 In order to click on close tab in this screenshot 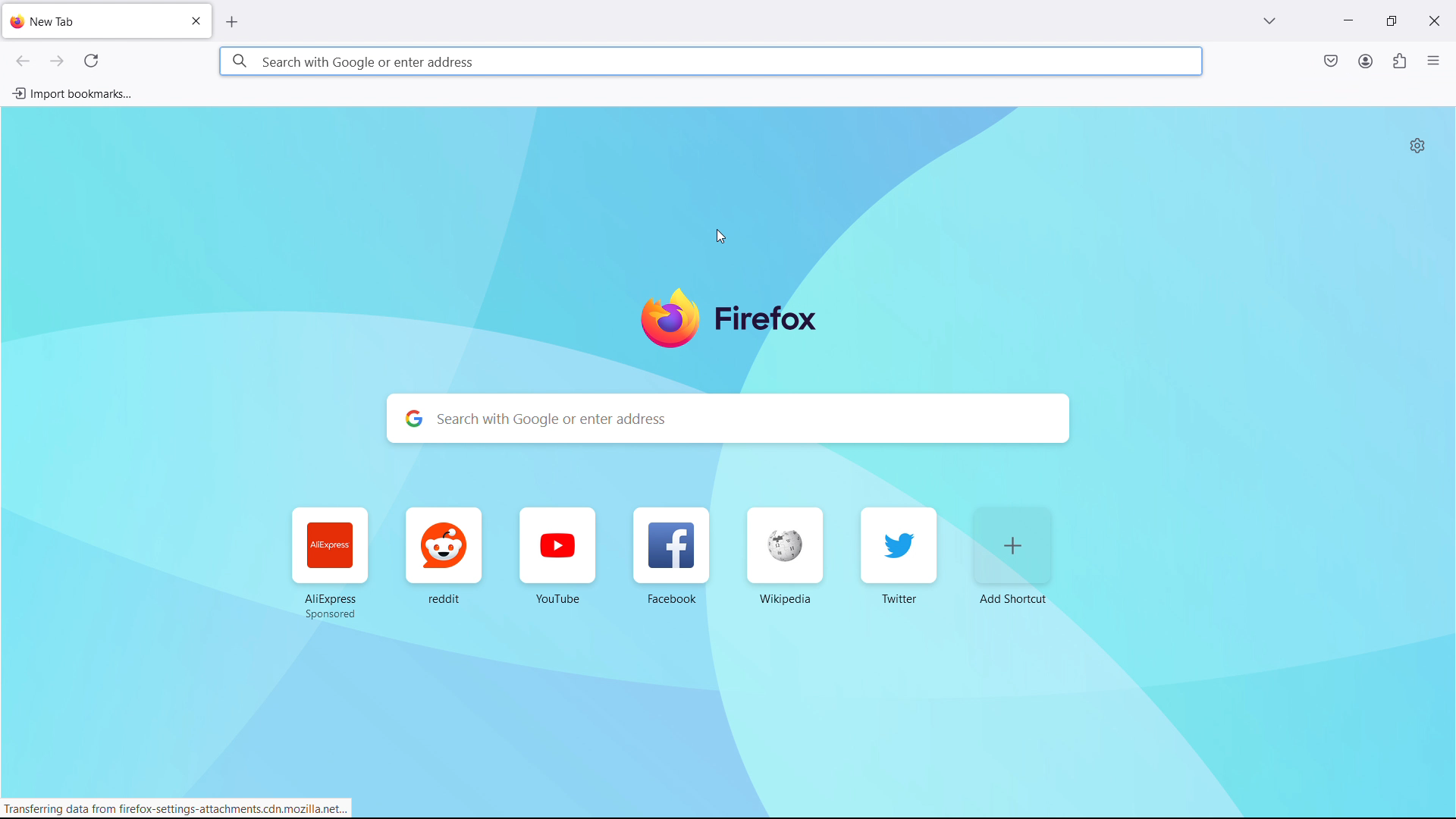, I will do `click(193, 20)`.